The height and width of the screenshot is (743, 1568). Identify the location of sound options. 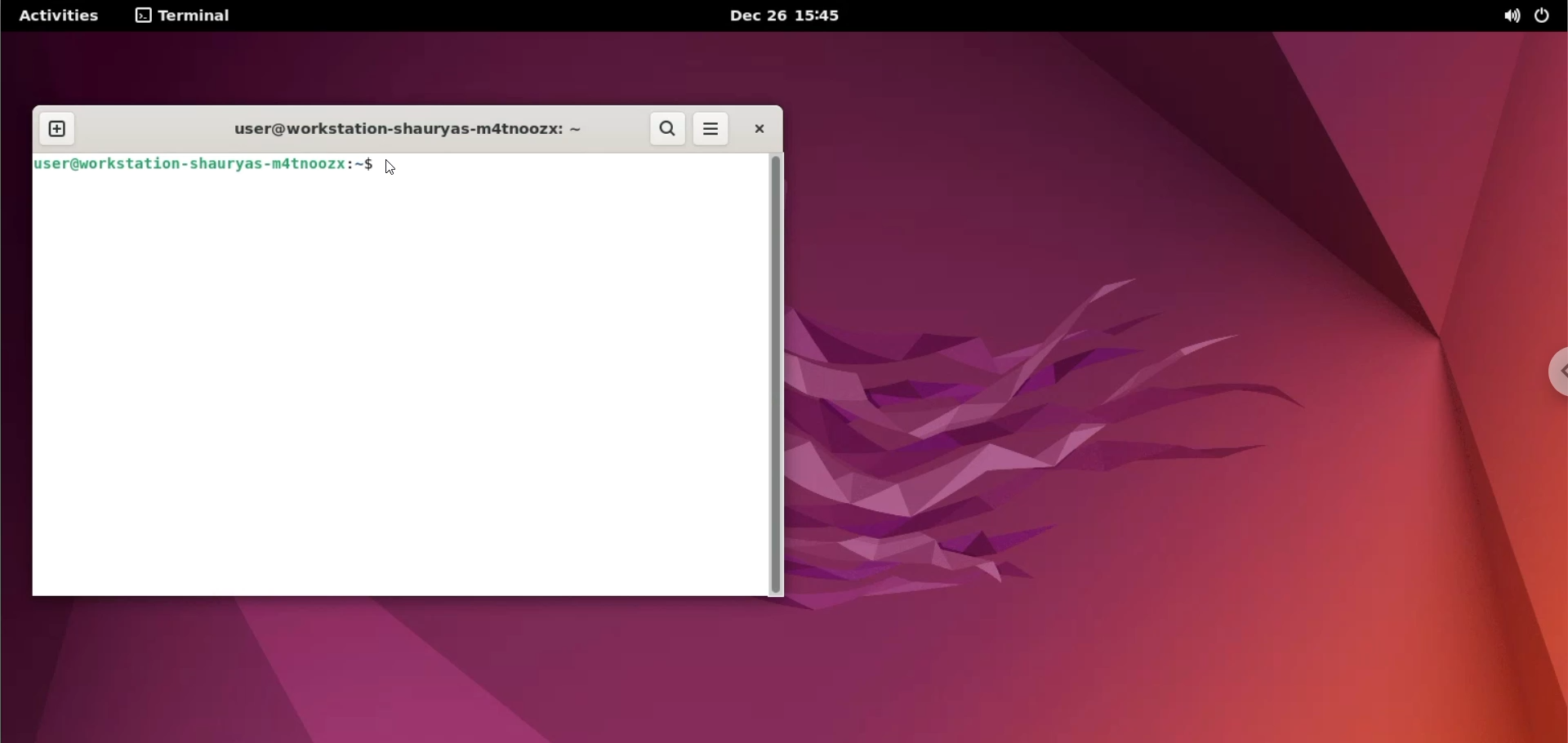
(1510, 17).